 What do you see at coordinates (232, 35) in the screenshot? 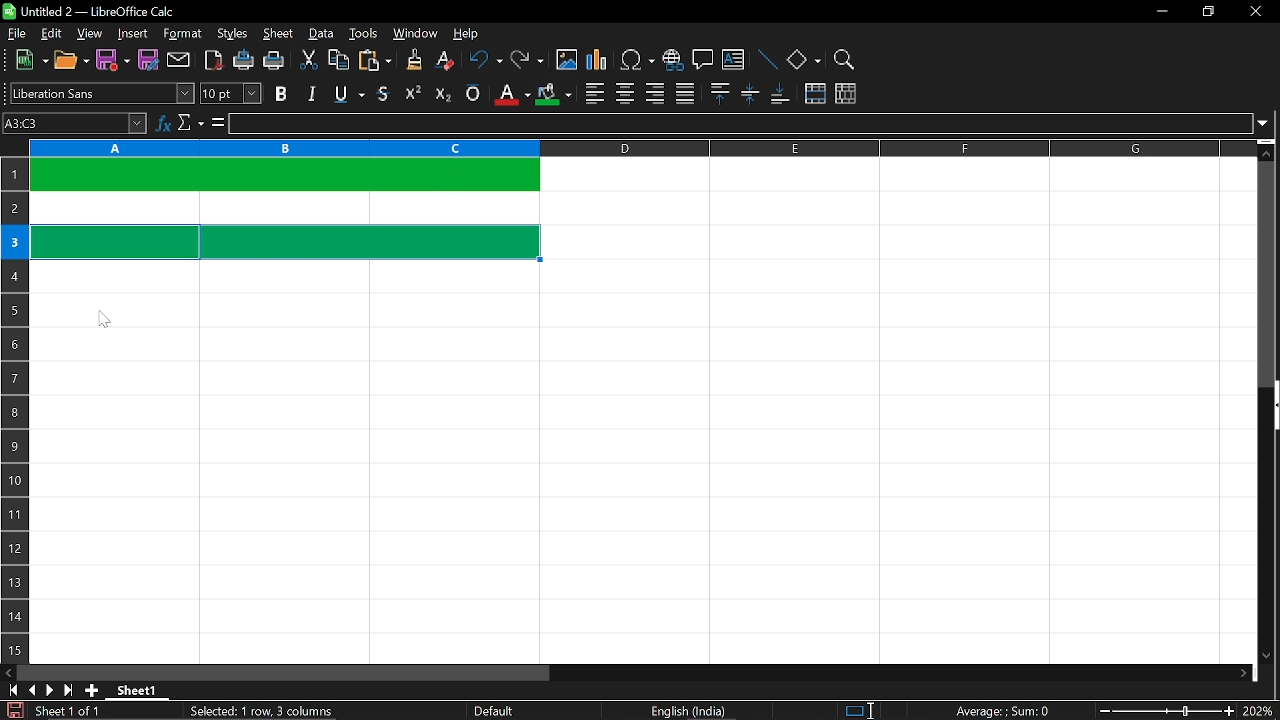
I see `styles` at bounding box center [232, 35].